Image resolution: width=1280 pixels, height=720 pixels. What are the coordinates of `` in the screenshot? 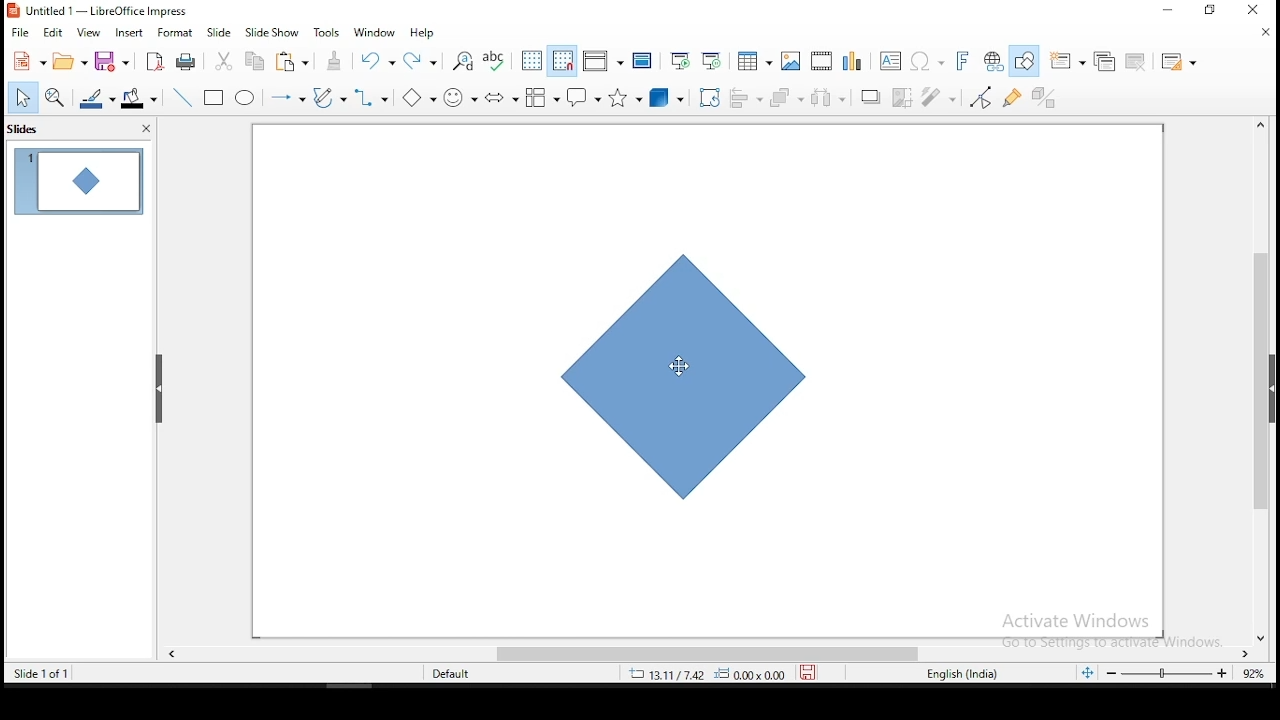 It's located at (963, 61).